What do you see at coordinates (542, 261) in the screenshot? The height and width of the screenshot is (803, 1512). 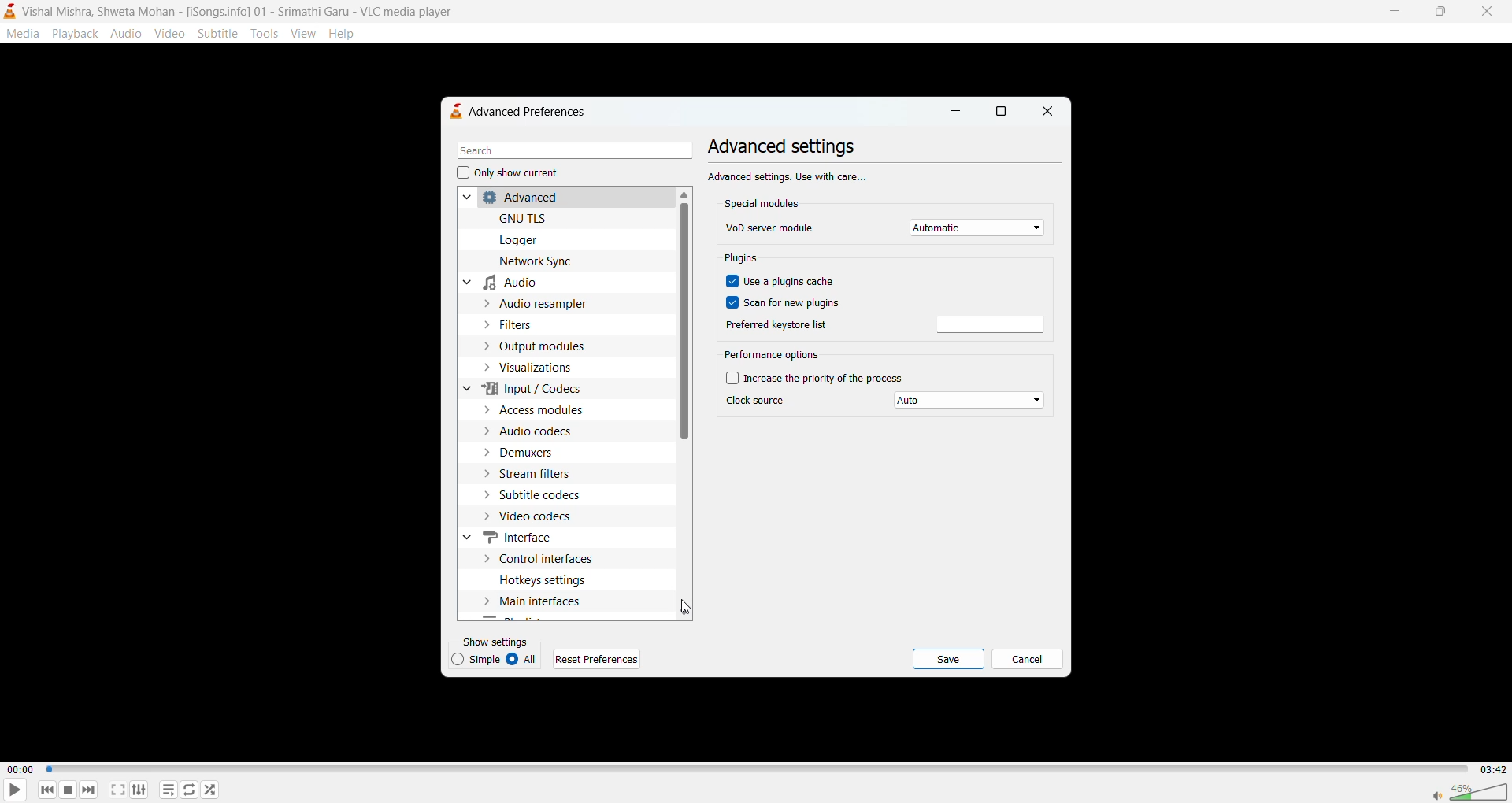 I see `network sync` at bounding box center [542, 261].